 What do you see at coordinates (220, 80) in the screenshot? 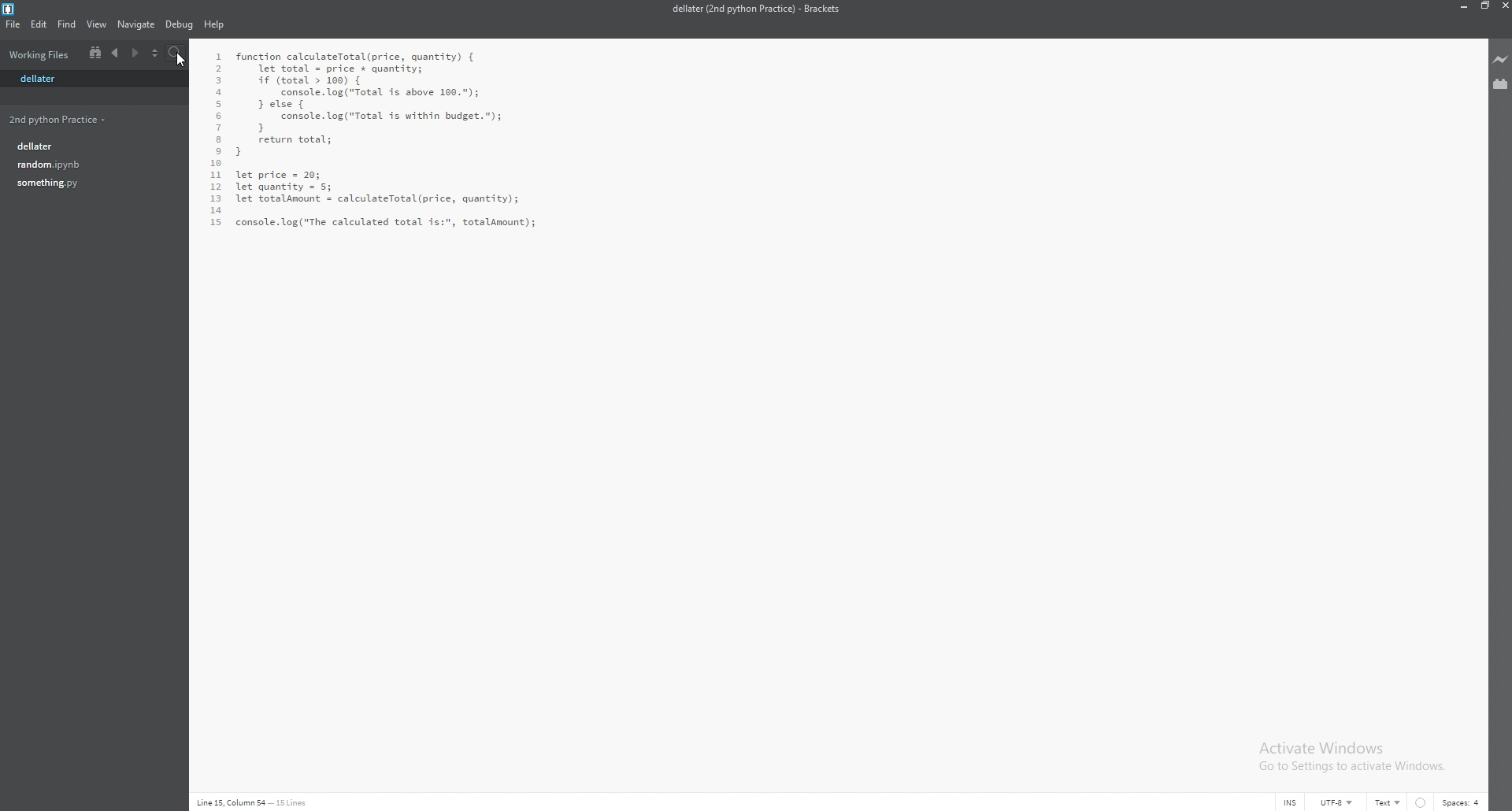
I see `3` at bounding box center [220, 80].